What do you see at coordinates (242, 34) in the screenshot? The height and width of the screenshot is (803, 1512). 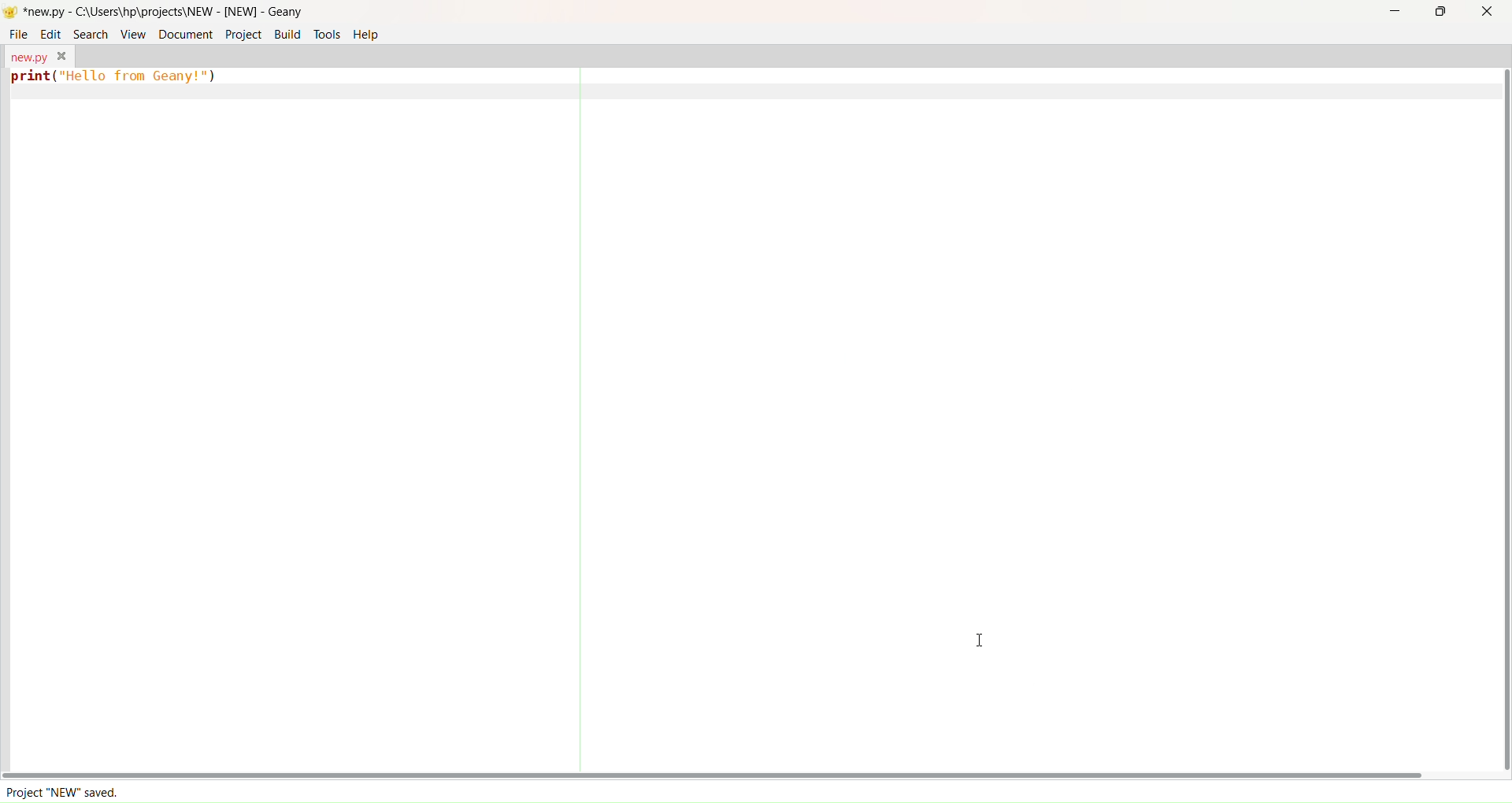 I see `project` at bounding box center [242, 34].